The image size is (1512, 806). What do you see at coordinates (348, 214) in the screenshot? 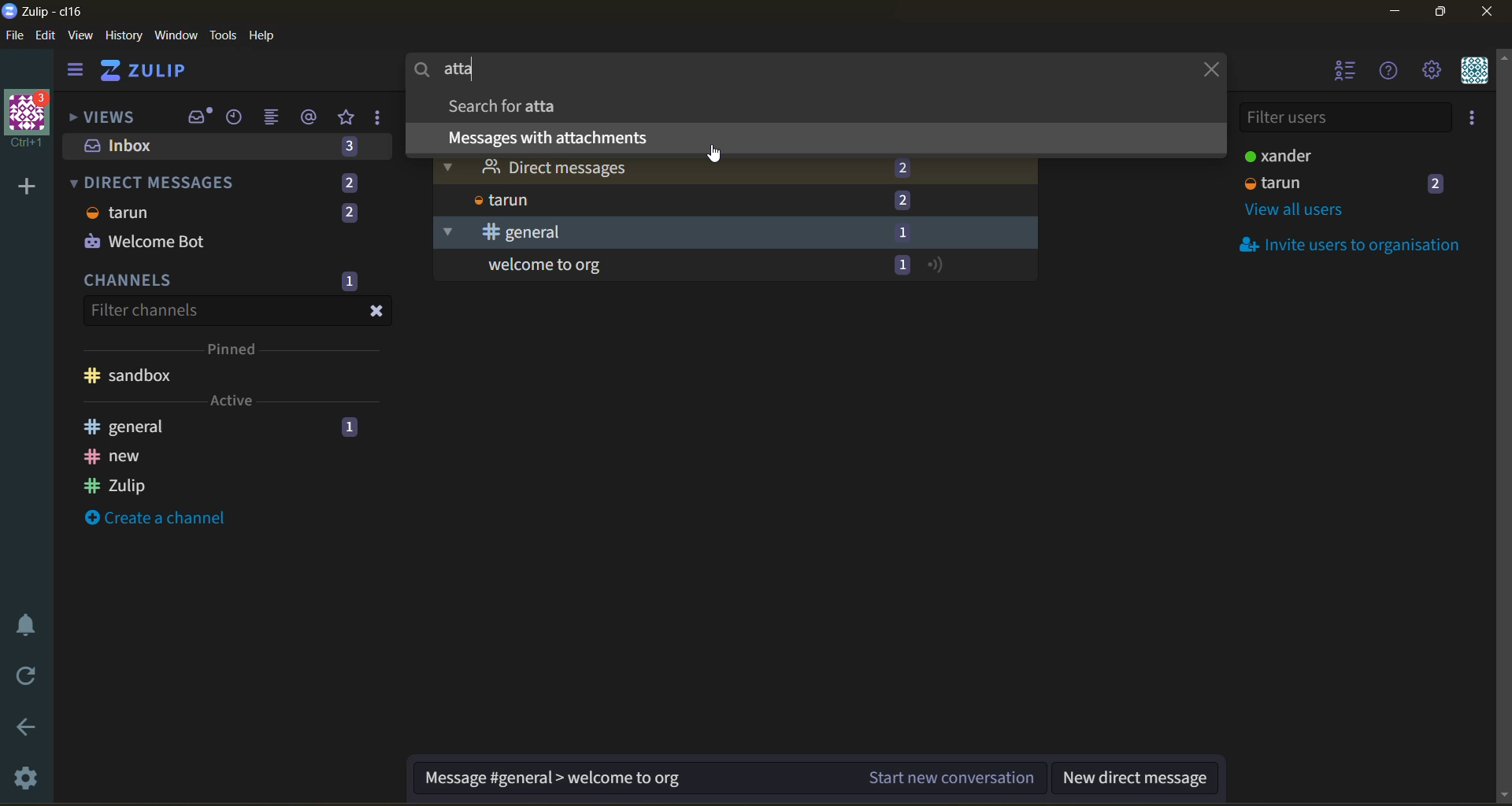
I see `2` at bounding box center [348, 214].